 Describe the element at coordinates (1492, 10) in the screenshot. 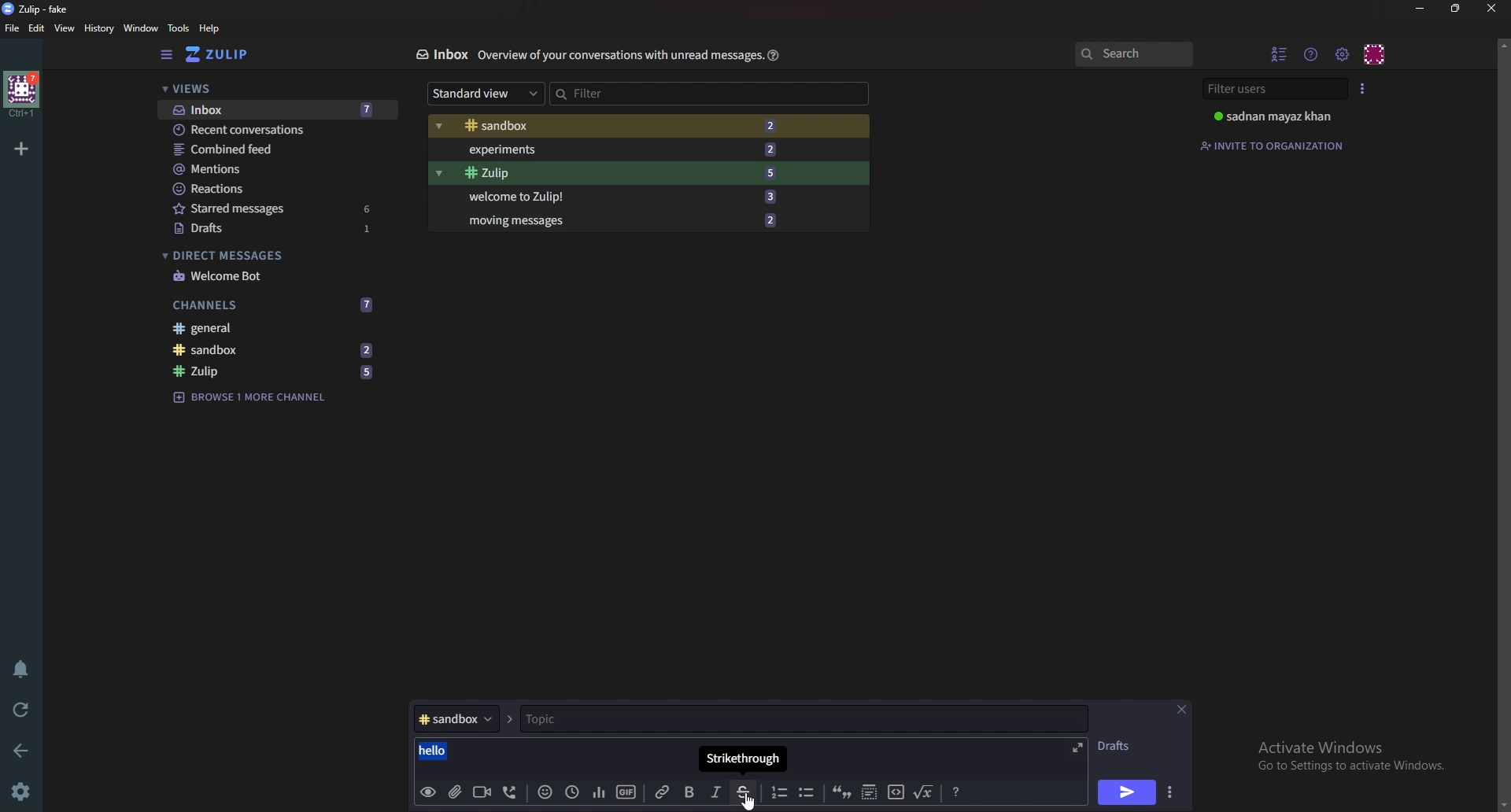

I see `close` at that location.